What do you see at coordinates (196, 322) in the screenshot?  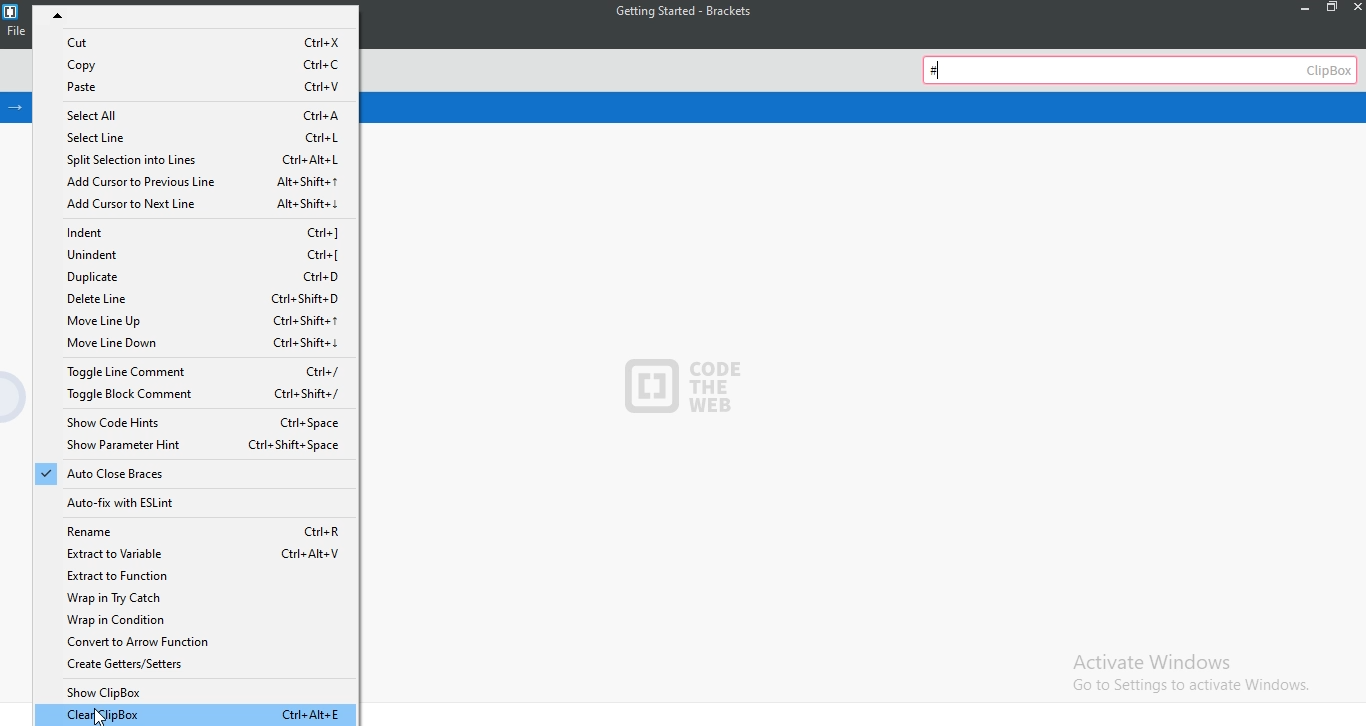 I see `Move Lines Up` at bounding box center [196, 322].